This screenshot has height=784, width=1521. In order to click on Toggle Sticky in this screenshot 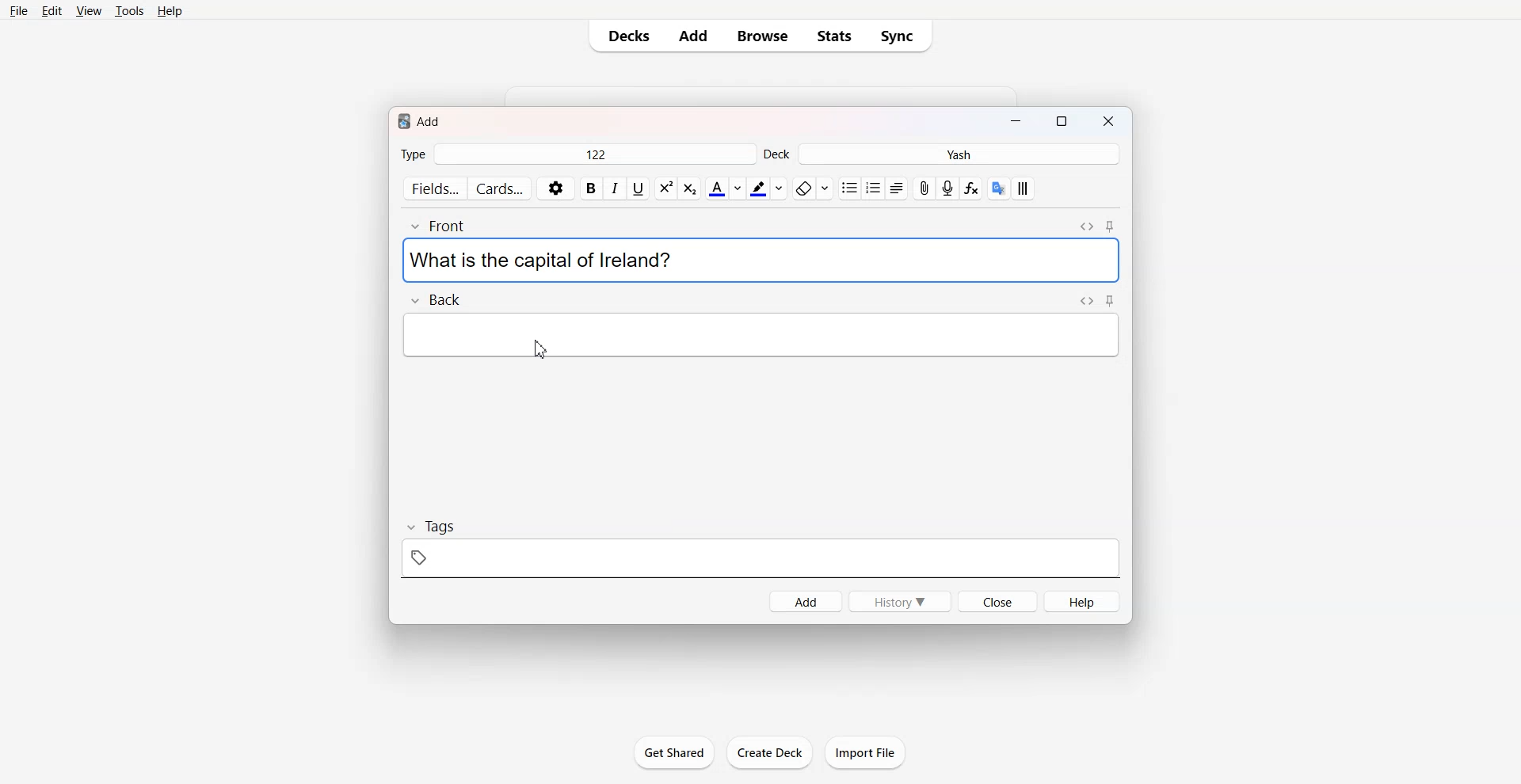, I will do `click(1111, 226)`.